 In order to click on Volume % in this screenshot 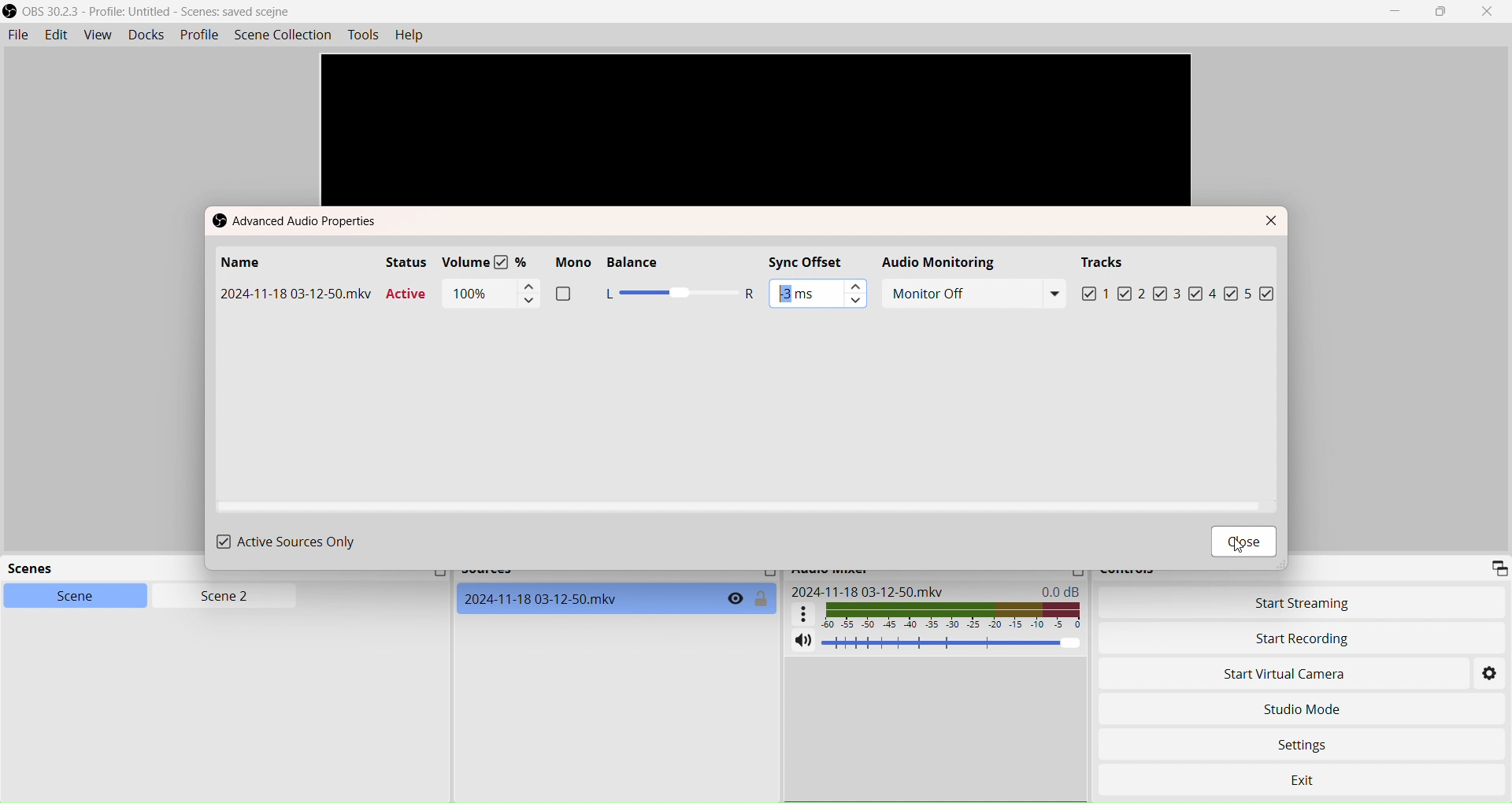, I will do `click(490, 262)`.